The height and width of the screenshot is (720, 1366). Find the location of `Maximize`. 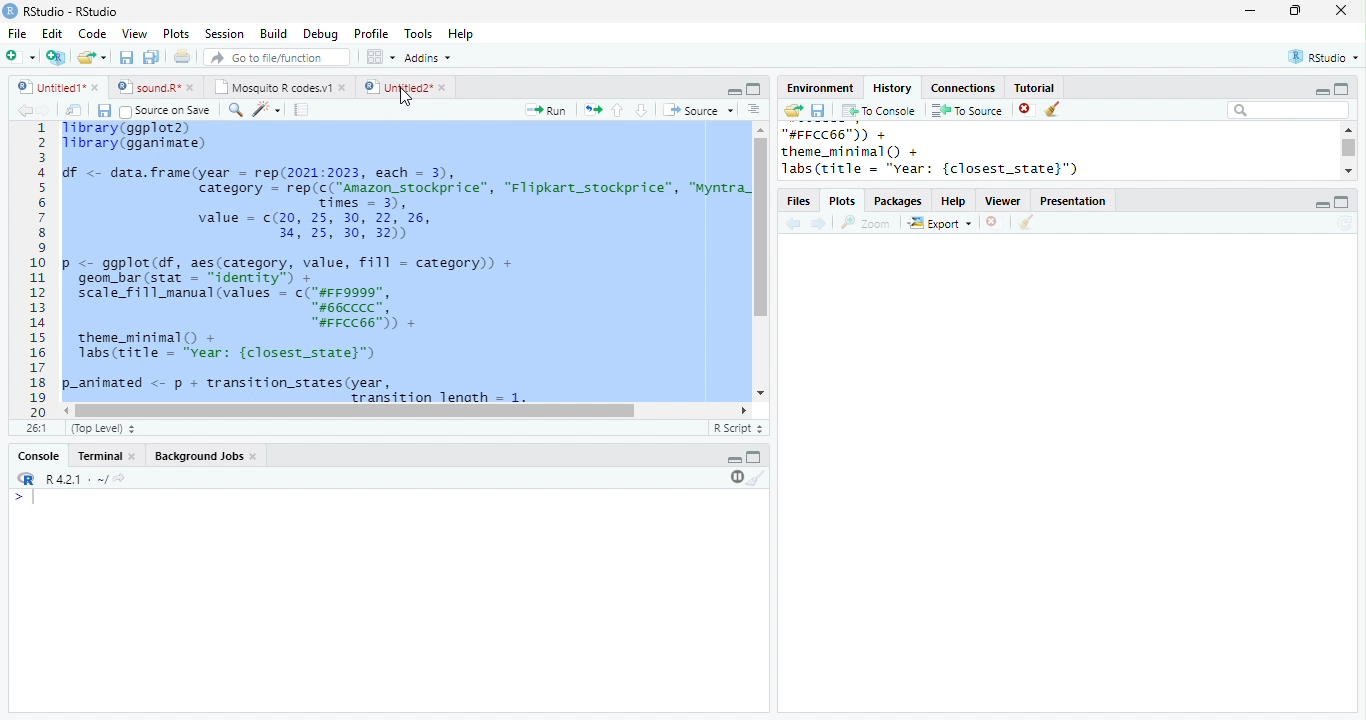

Maximize is located at coordinates (754, 457).